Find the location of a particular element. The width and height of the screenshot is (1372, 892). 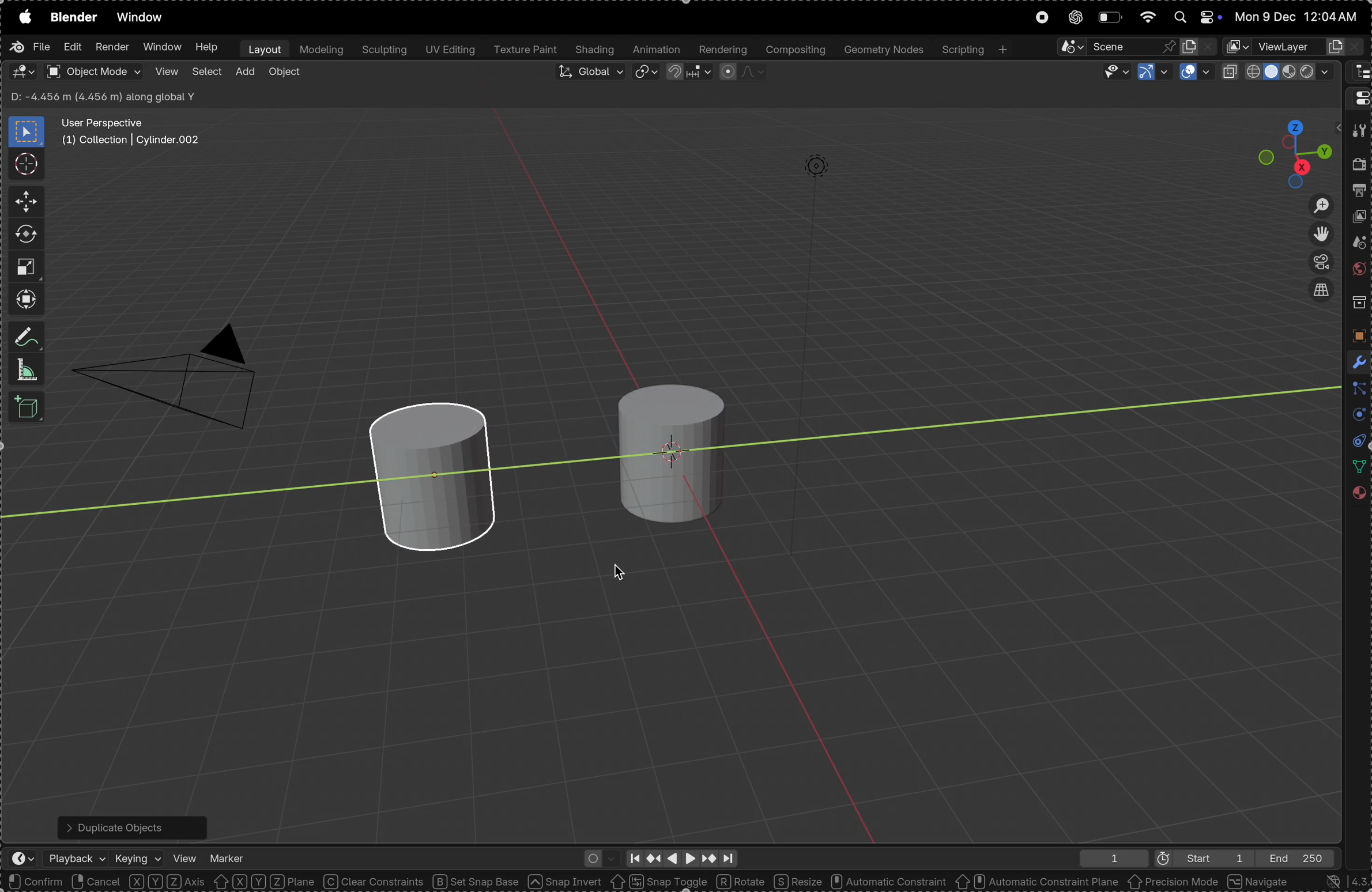

Blender is located at coordinates (73, 17).